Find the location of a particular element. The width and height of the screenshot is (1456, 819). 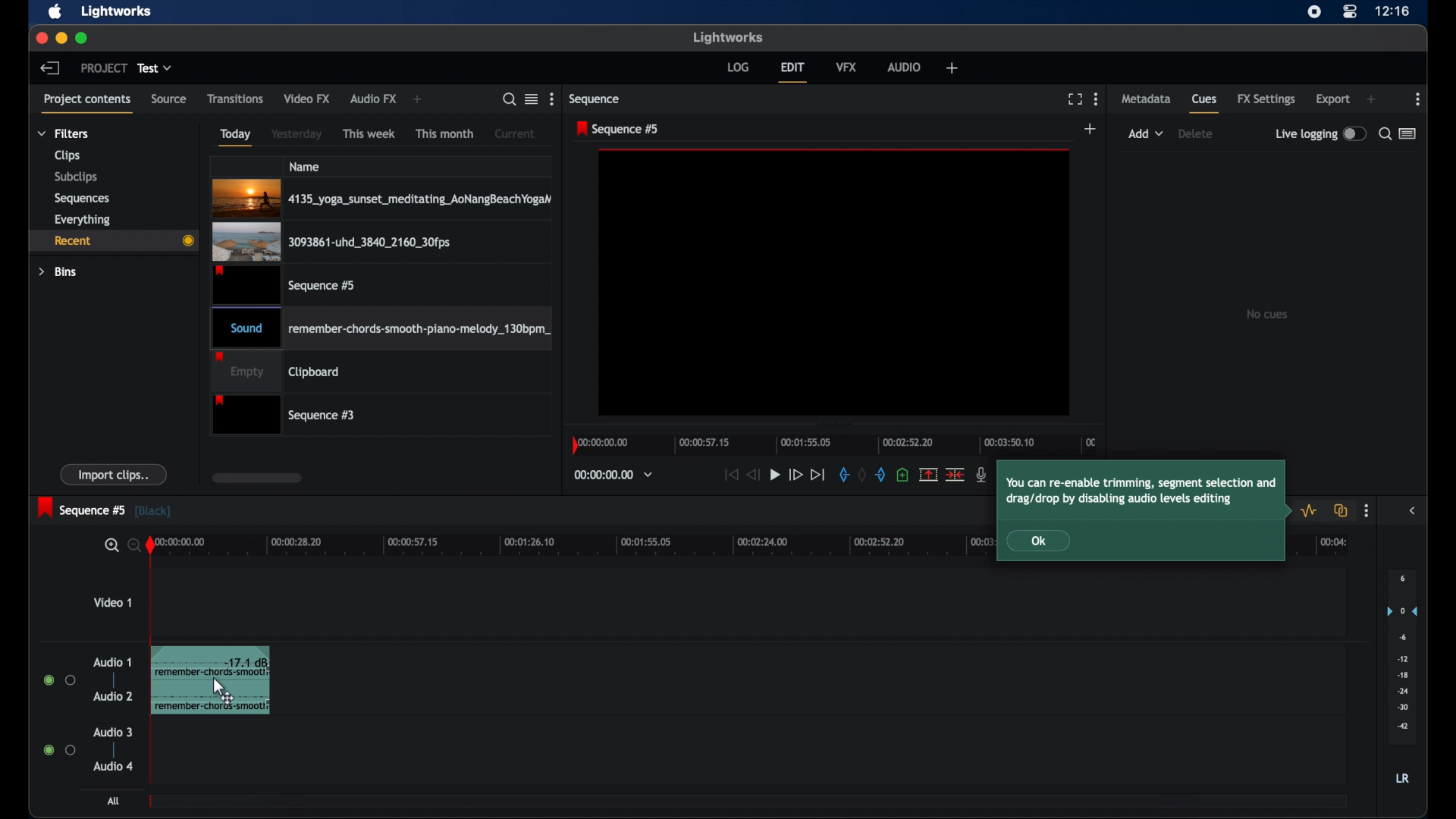

this month is located at coordinates (446, 134).